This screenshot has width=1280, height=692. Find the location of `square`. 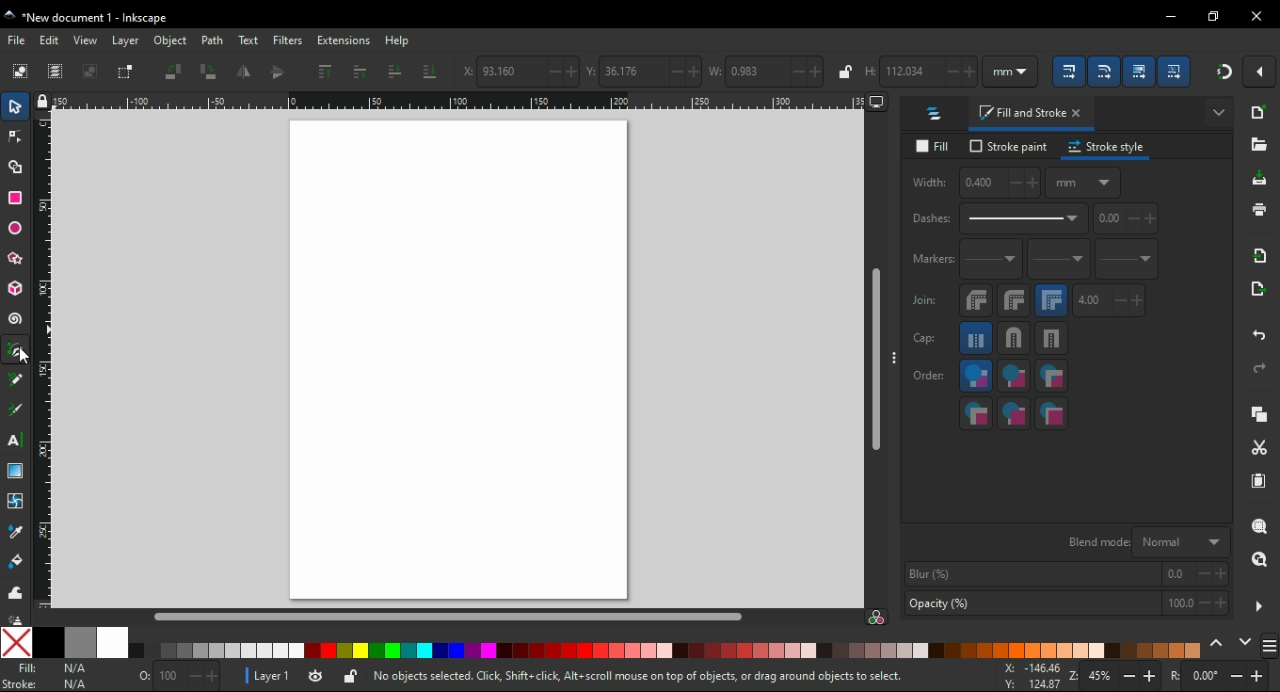

square is located at coordinates (1052, 338).